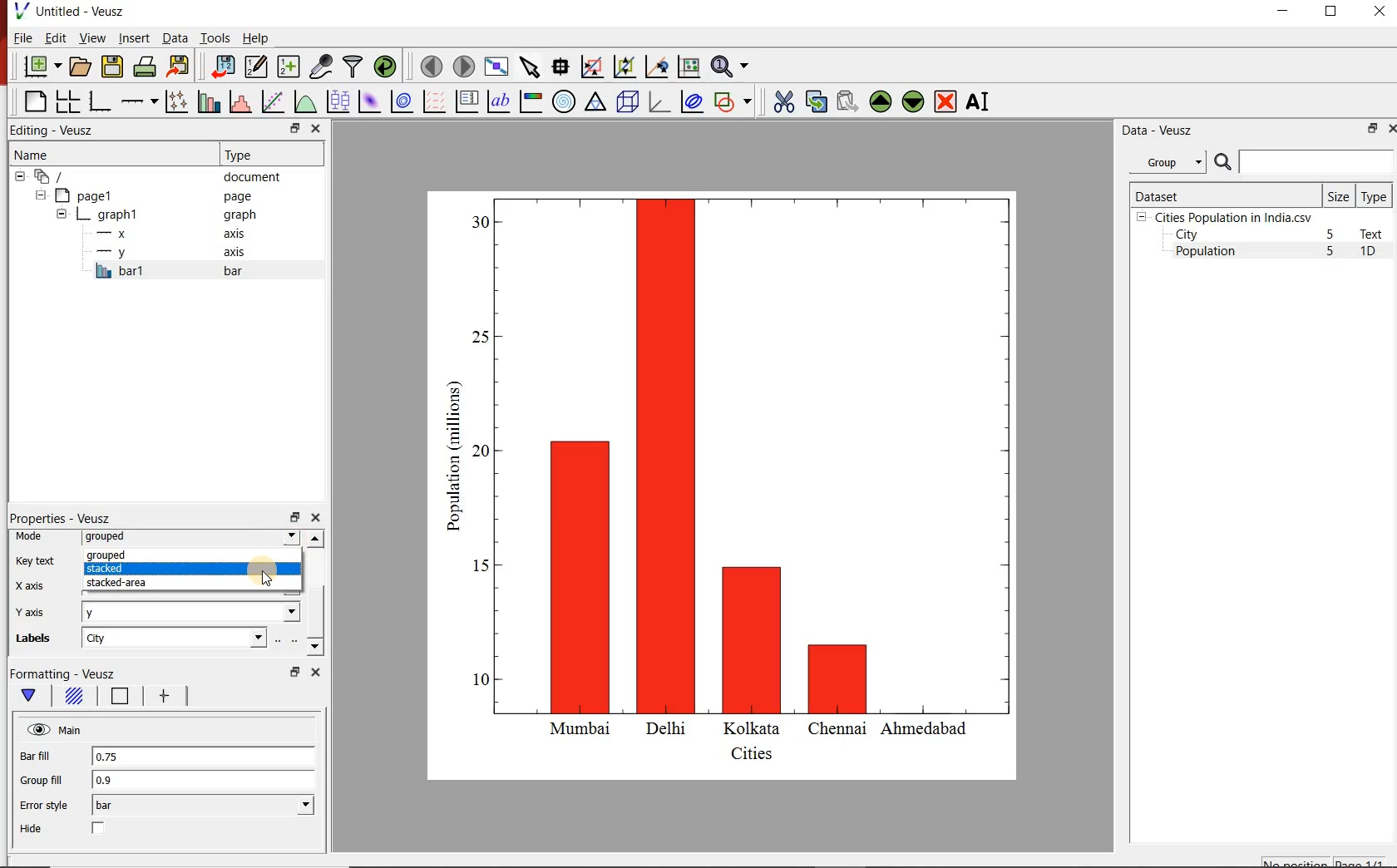 Image resolution: width=1397 pixels, height=868 pixels. I want to click on close, so click(318, 128).